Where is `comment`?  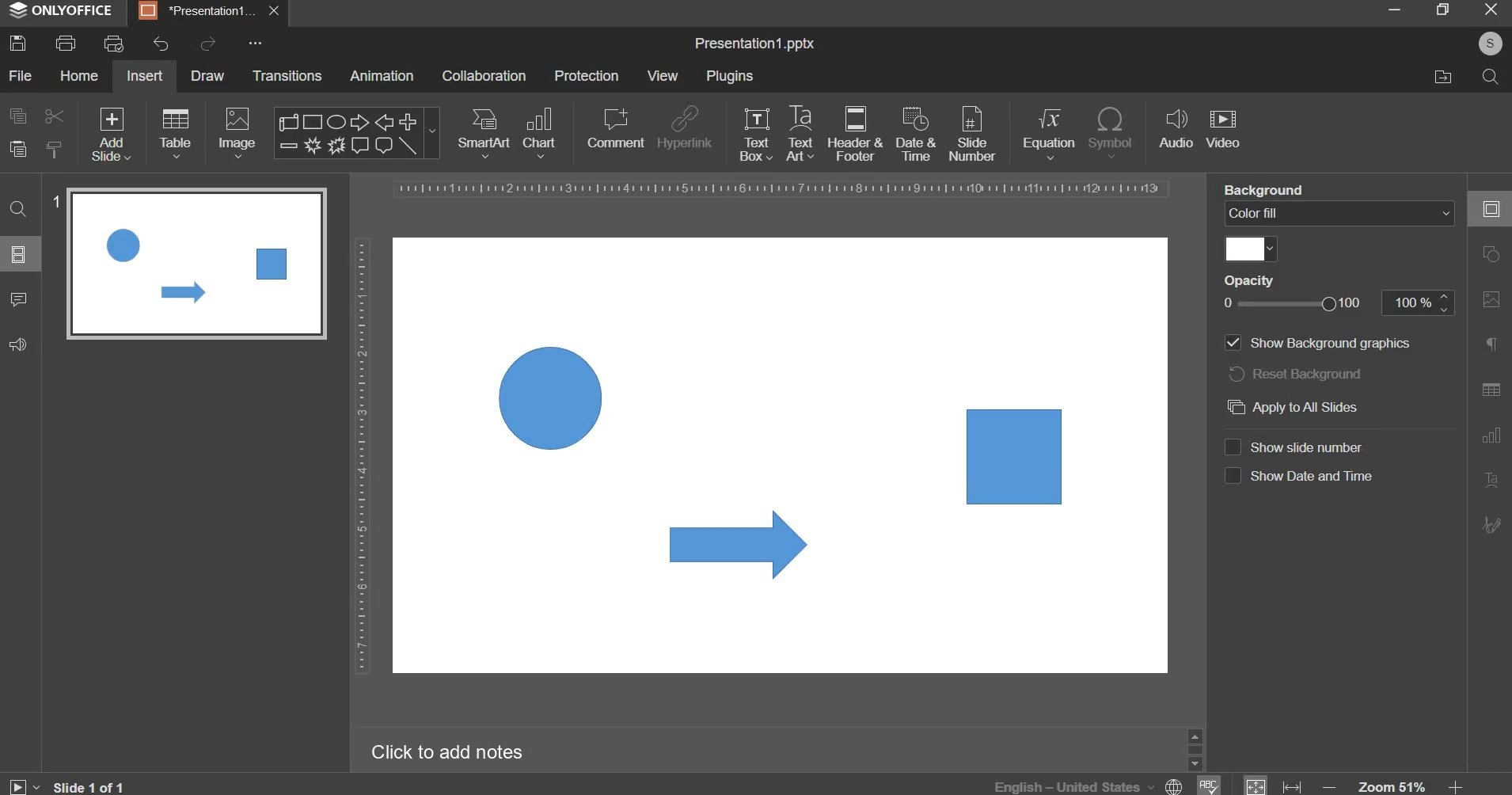
comment is located at coordinates (614, 127).